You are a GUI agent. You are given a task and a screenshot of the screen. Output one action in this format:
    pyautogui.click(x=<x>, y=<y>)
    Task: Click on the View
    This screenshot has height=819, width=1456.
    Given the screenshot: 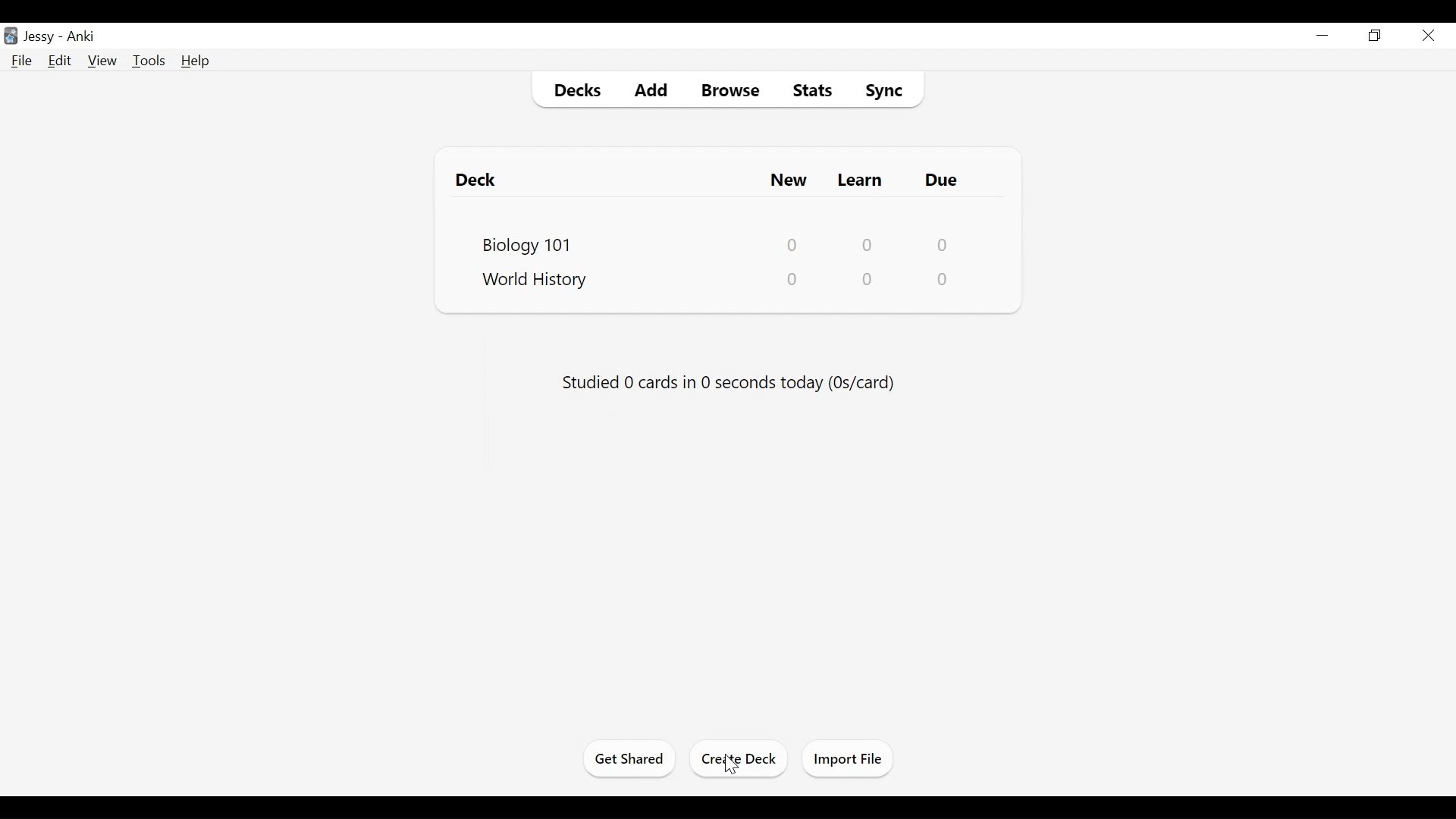 What is the action you would take?
    pyautogui.click(x=102, y=61)
    